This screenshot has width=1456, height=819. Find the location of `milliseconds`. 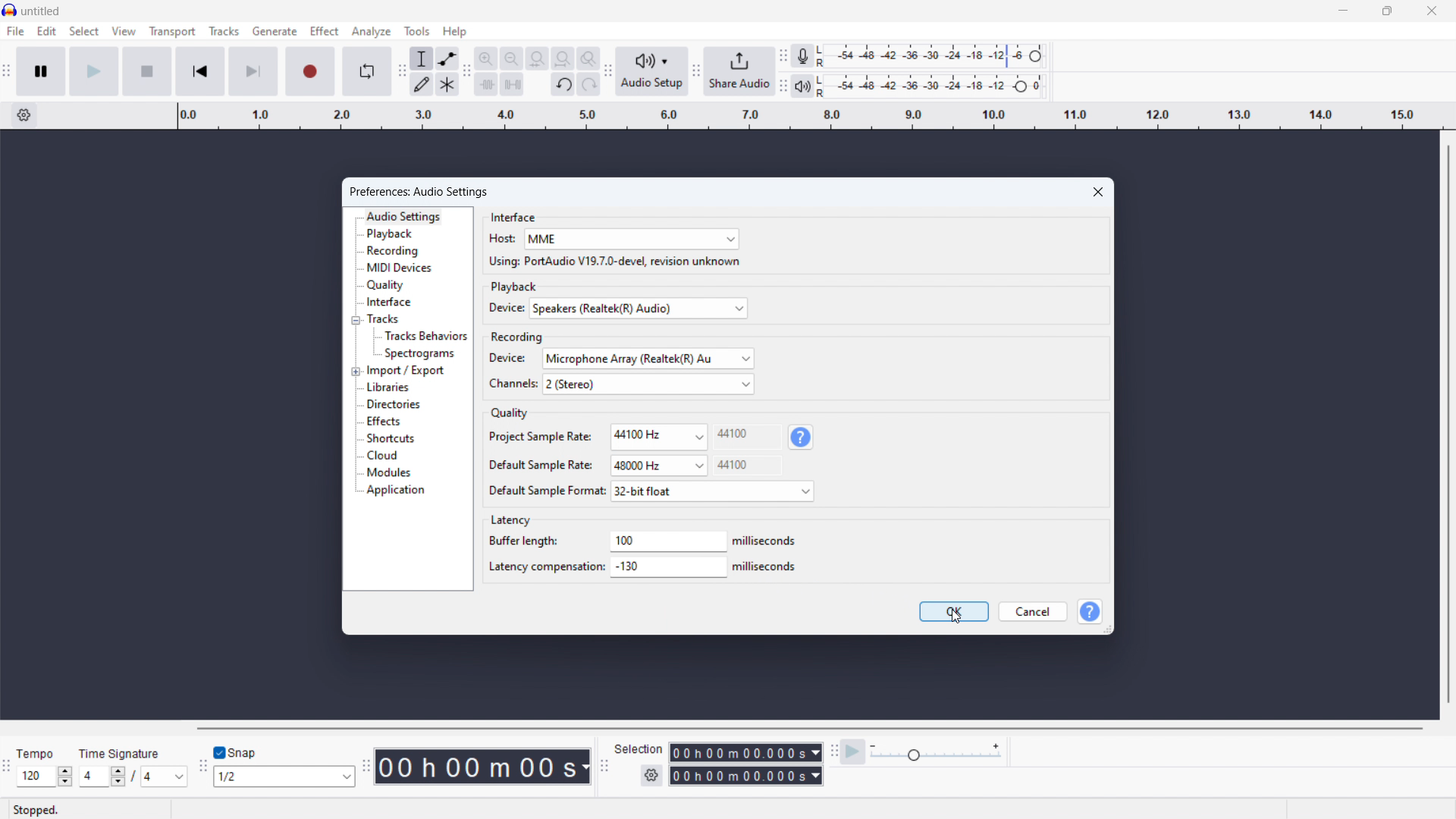

milliseconds is located at coordinates (767, 566).